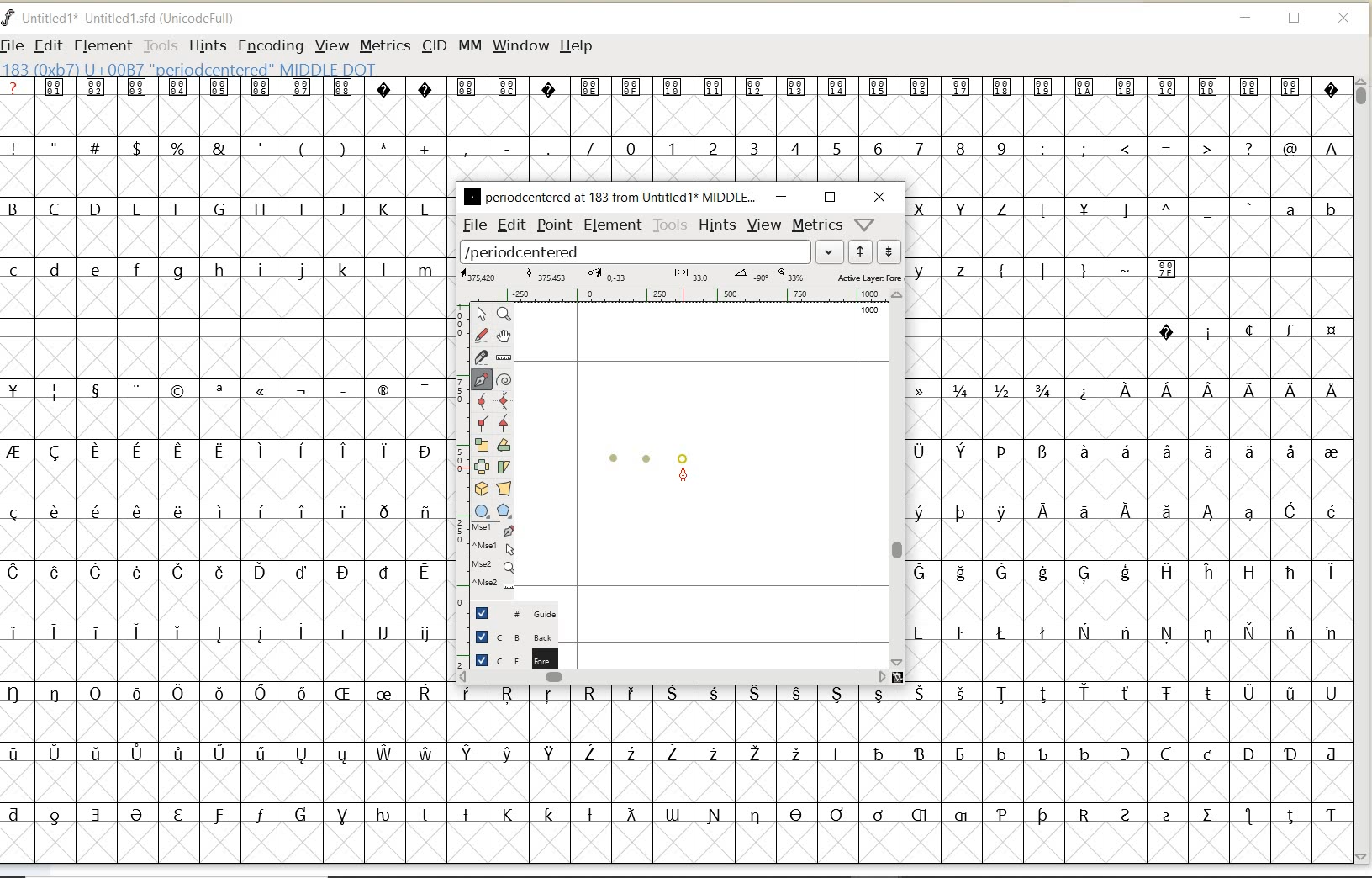  I want to click on restore, so click(830, 196).